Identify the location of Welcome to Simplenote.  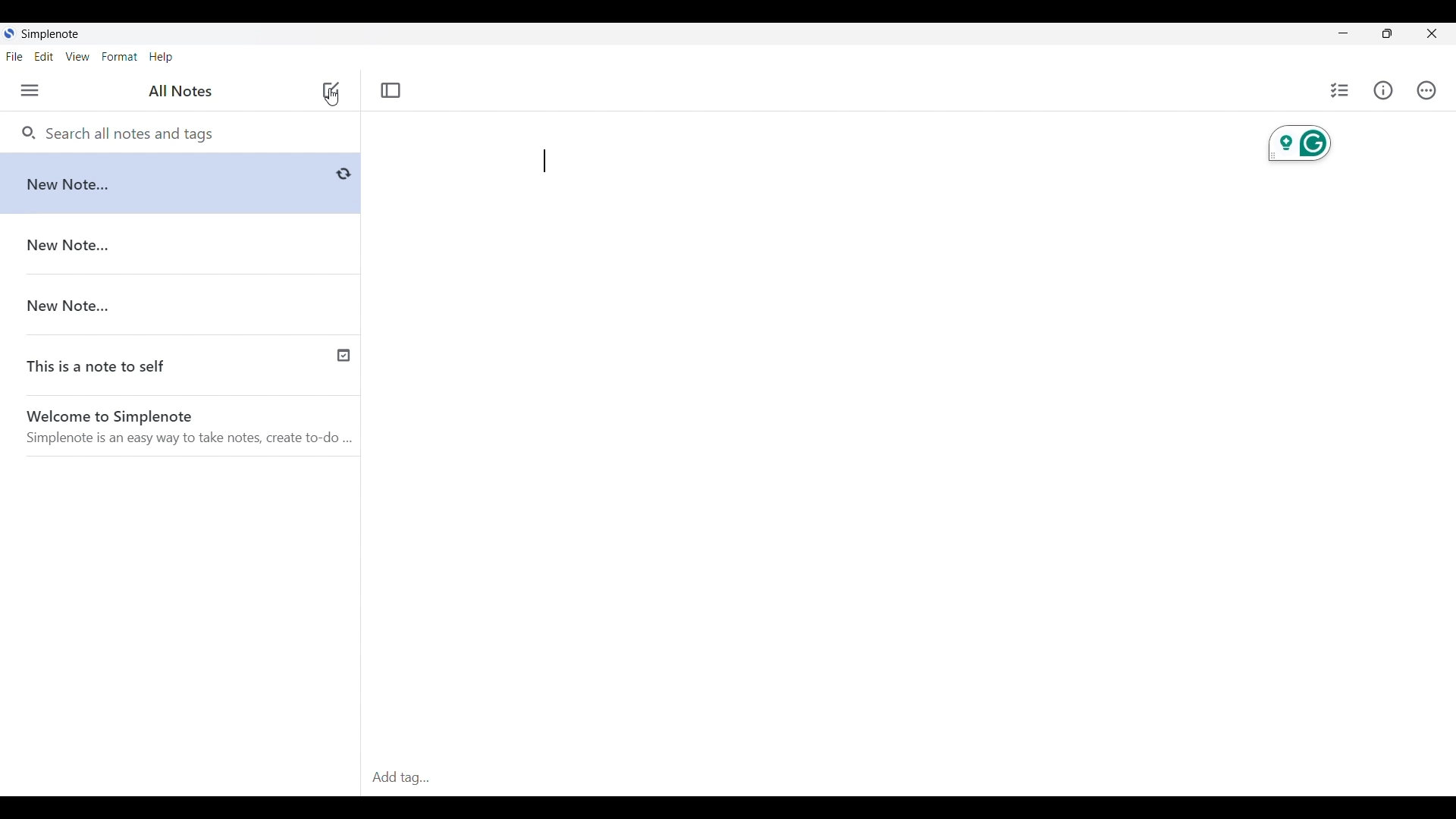
(186, 422).